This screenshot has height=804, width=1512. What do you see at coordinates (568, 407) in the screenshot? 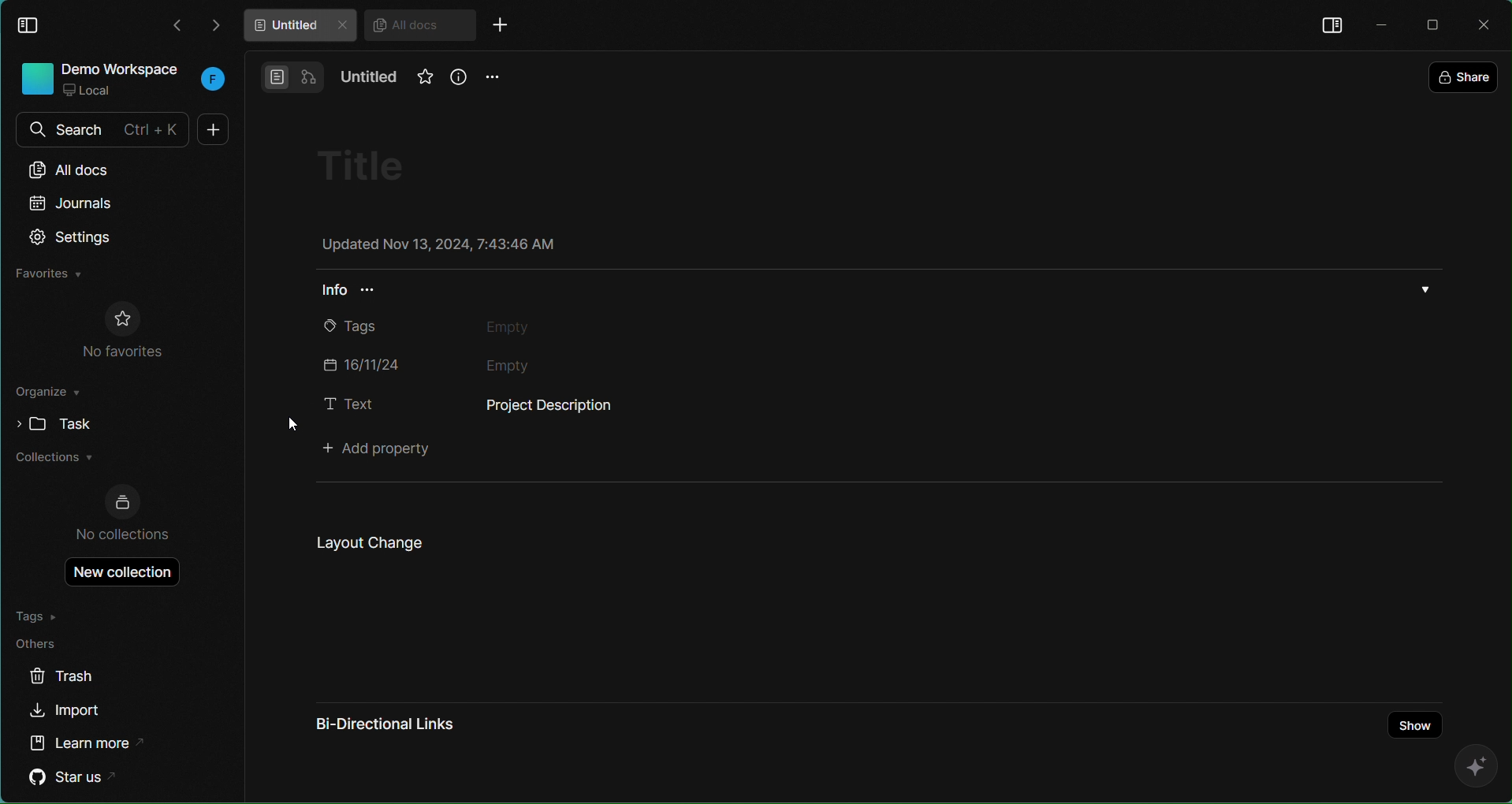
I see `Typed` at bounding box center [568, 407].